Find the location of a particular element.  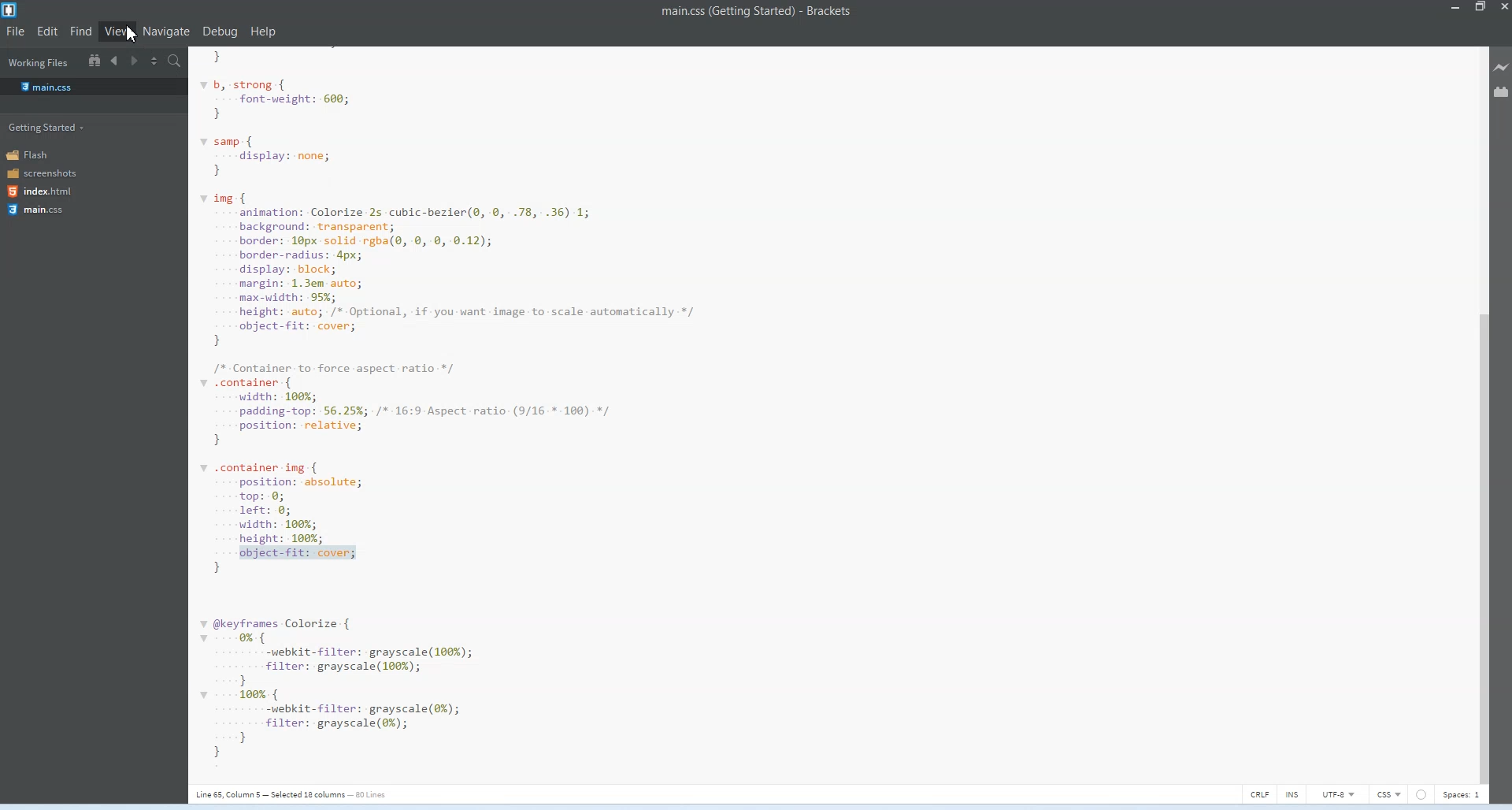

View is located at coordinates (116, 30).